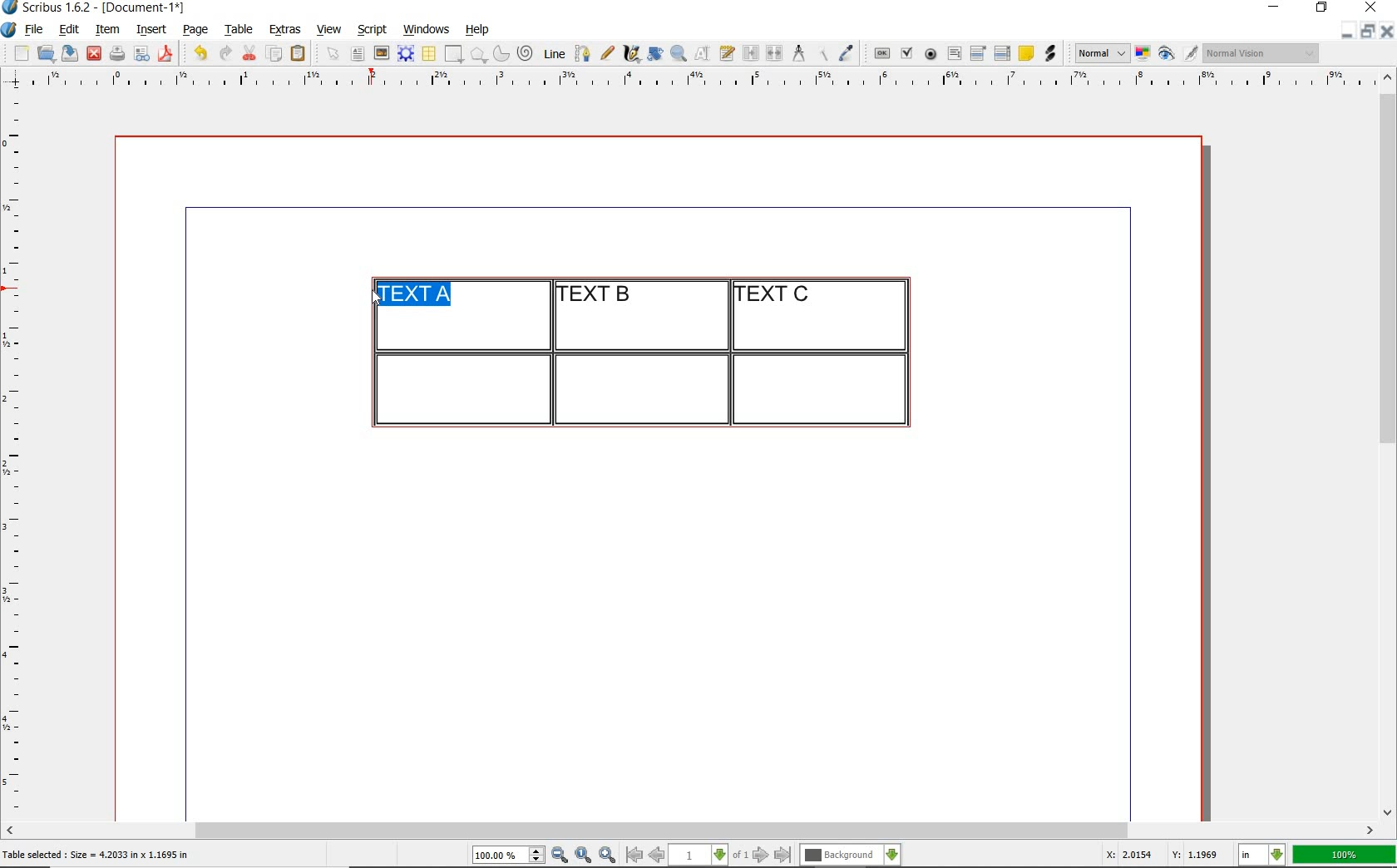 Image resolution: width=1397 pixels, height=868 pixels. Describe the element at coordinates (45, 52) in the screenshot. I see `open` at that location.